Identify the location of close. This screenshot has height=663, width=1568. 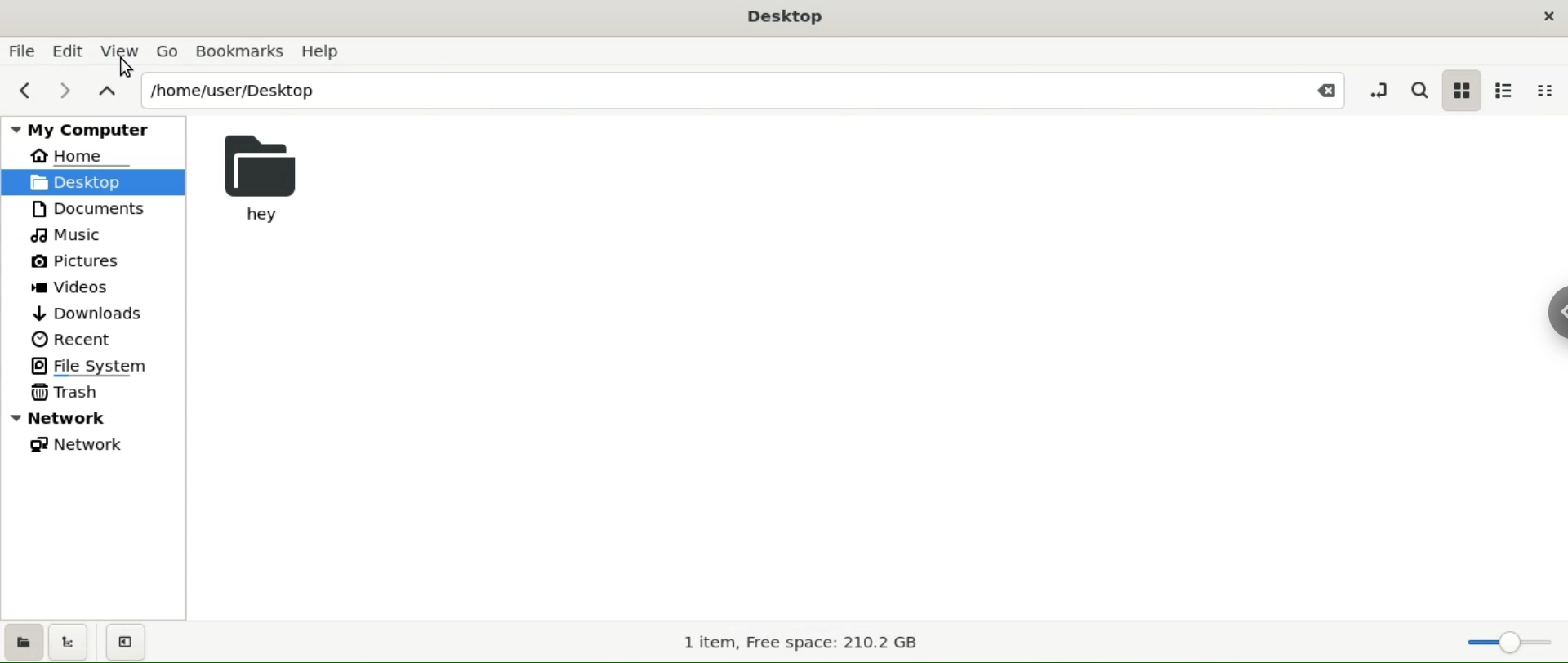
(1546, 20).